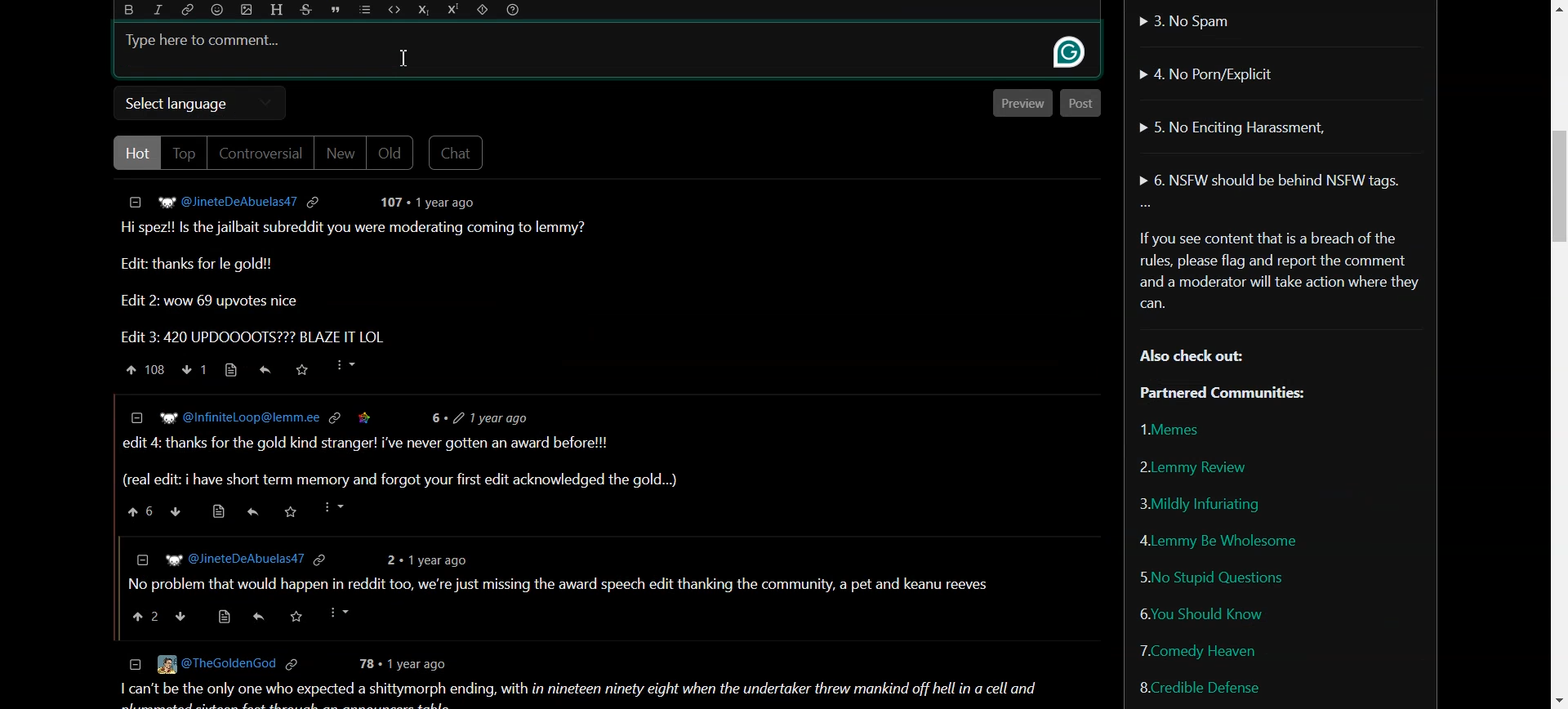 The image size is (1568, 709). I want to click on upvote, so click(145, 616).